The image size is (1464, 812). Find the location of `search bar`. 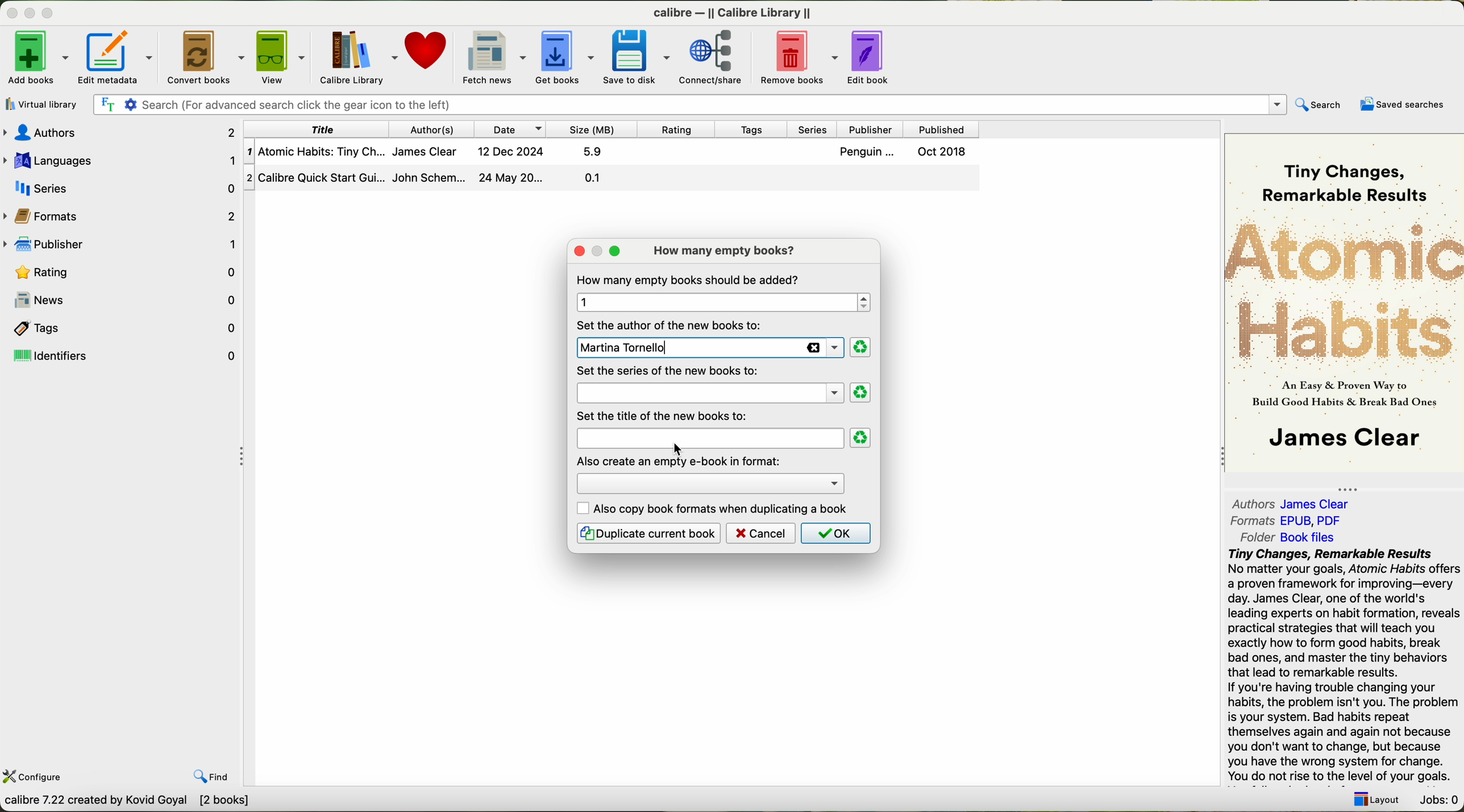

search bar is located at coordinates (693, 105).